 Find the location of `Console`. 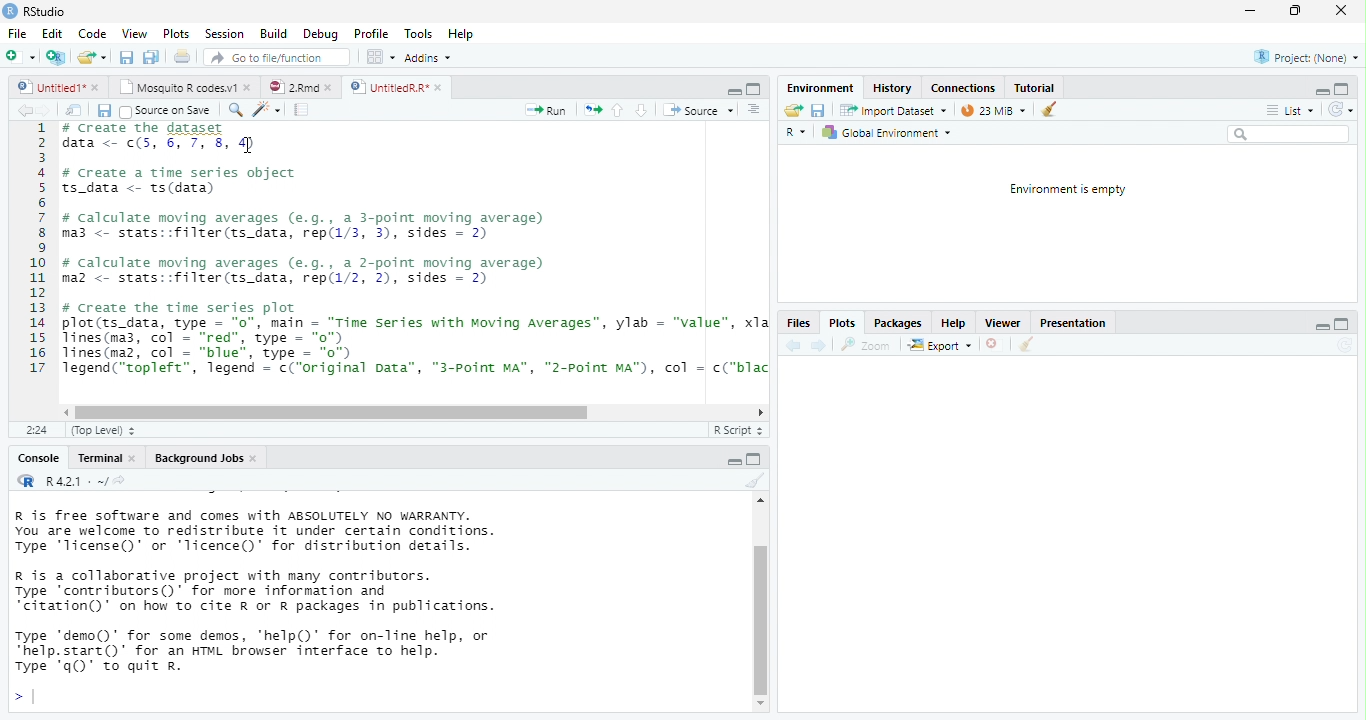

Console is located at coordinates (37, 459).